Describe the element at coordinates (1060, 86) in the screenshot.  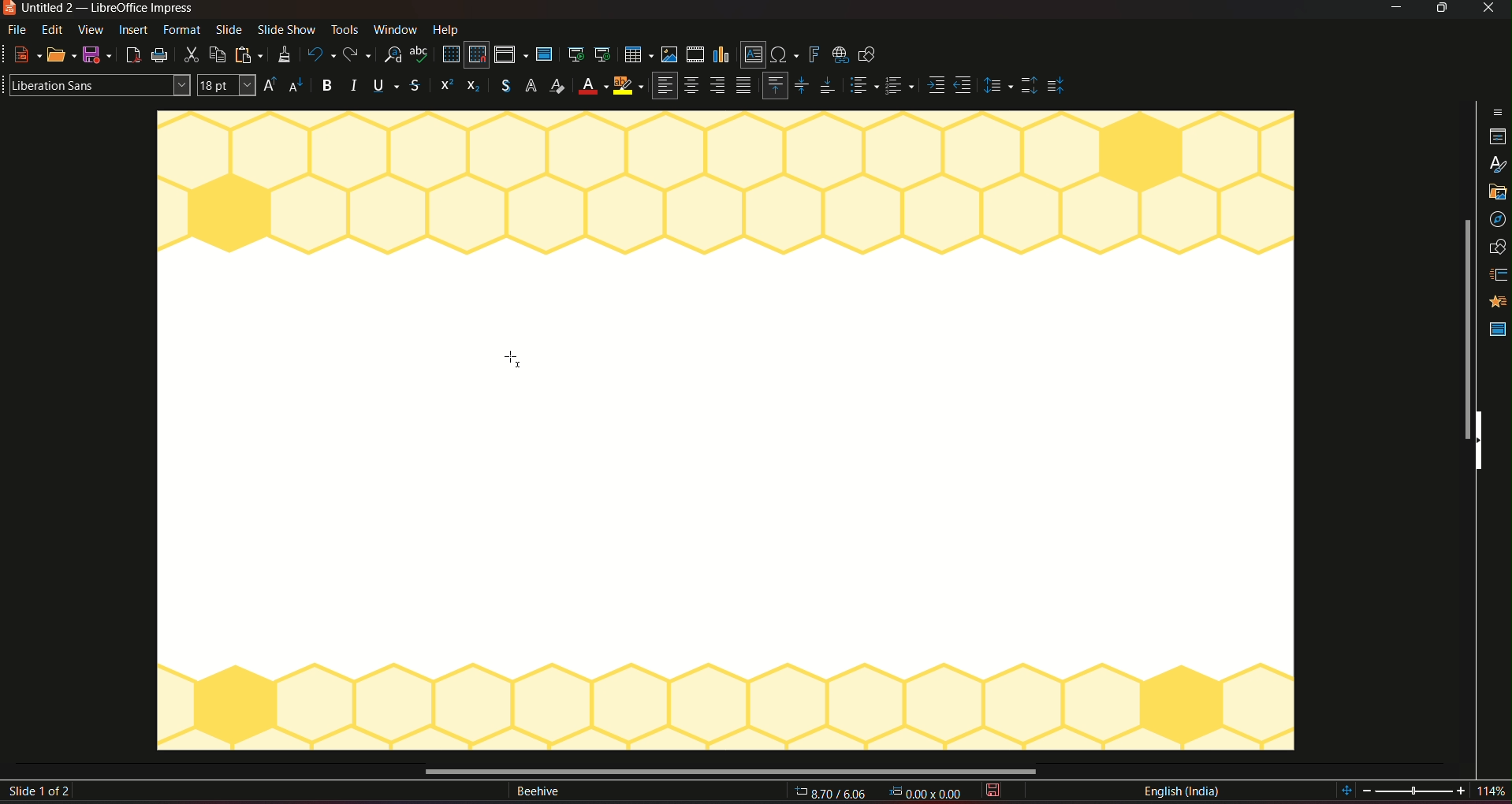
I see `middle spacing` at that location.